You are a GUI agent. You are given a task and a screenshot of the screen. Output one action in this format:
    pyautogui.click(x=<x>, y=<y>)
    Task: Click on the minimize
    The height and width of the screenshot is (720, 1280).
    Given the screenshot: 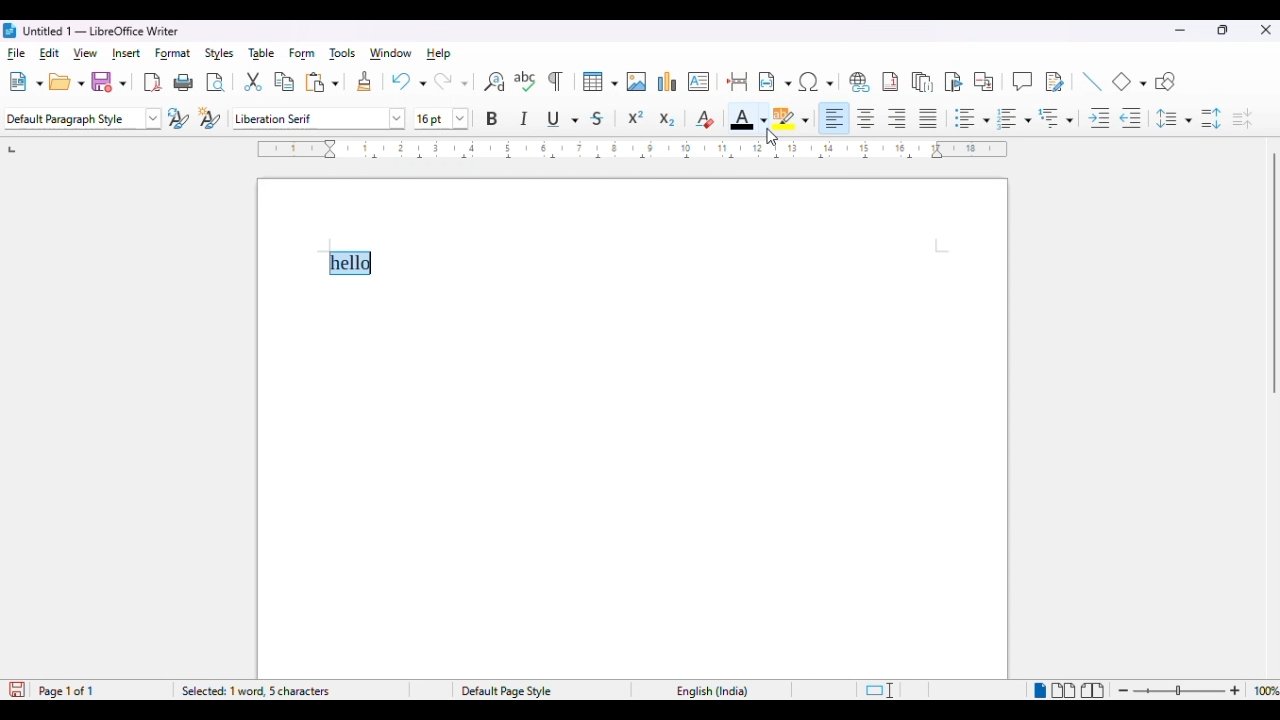 What is the action you would take?
    pyautogui.click(x=1179, y=30)
    